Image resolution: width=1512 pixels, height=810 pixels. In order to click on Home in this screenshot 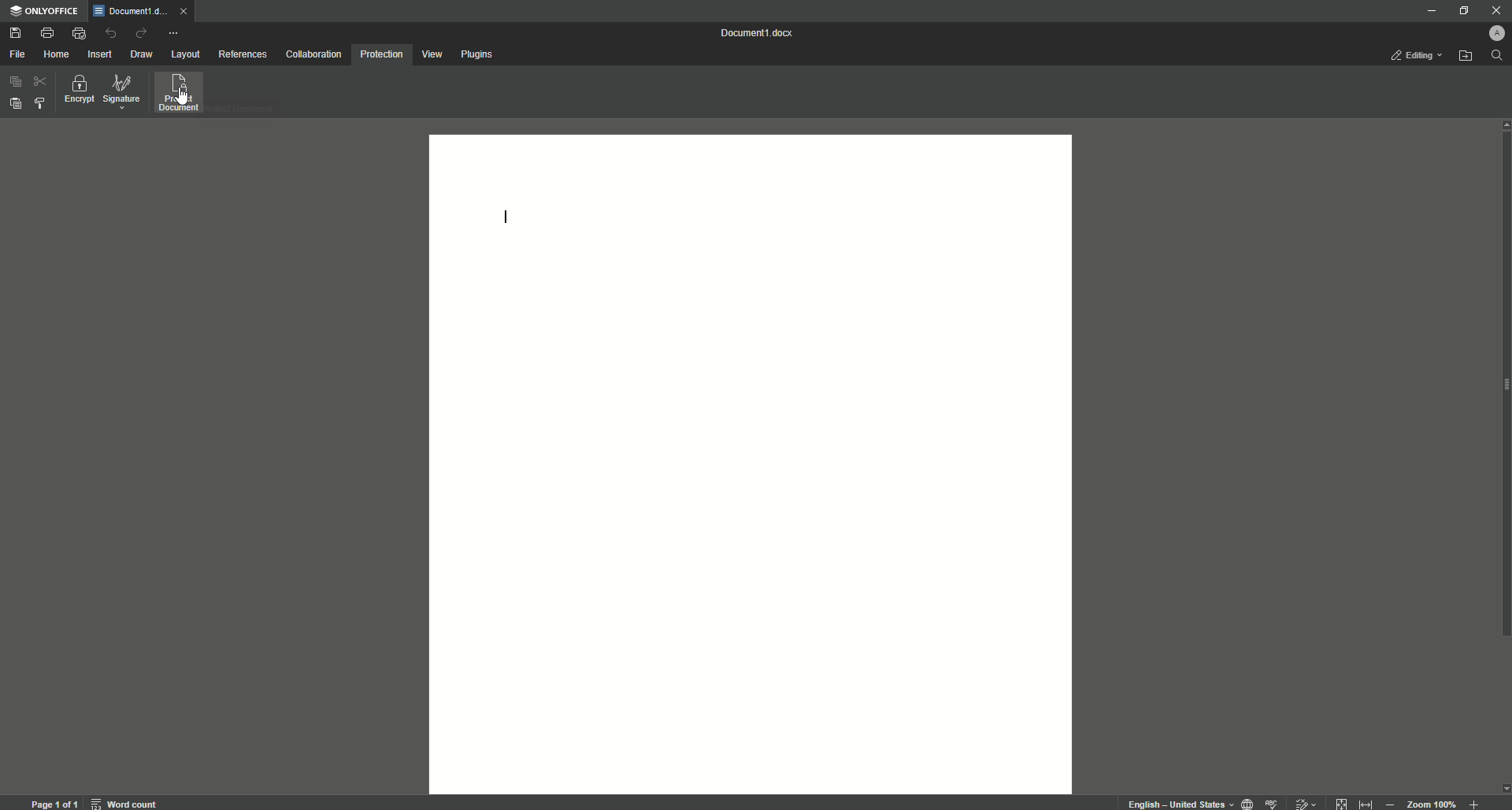, I will do `click(57, 53)`.